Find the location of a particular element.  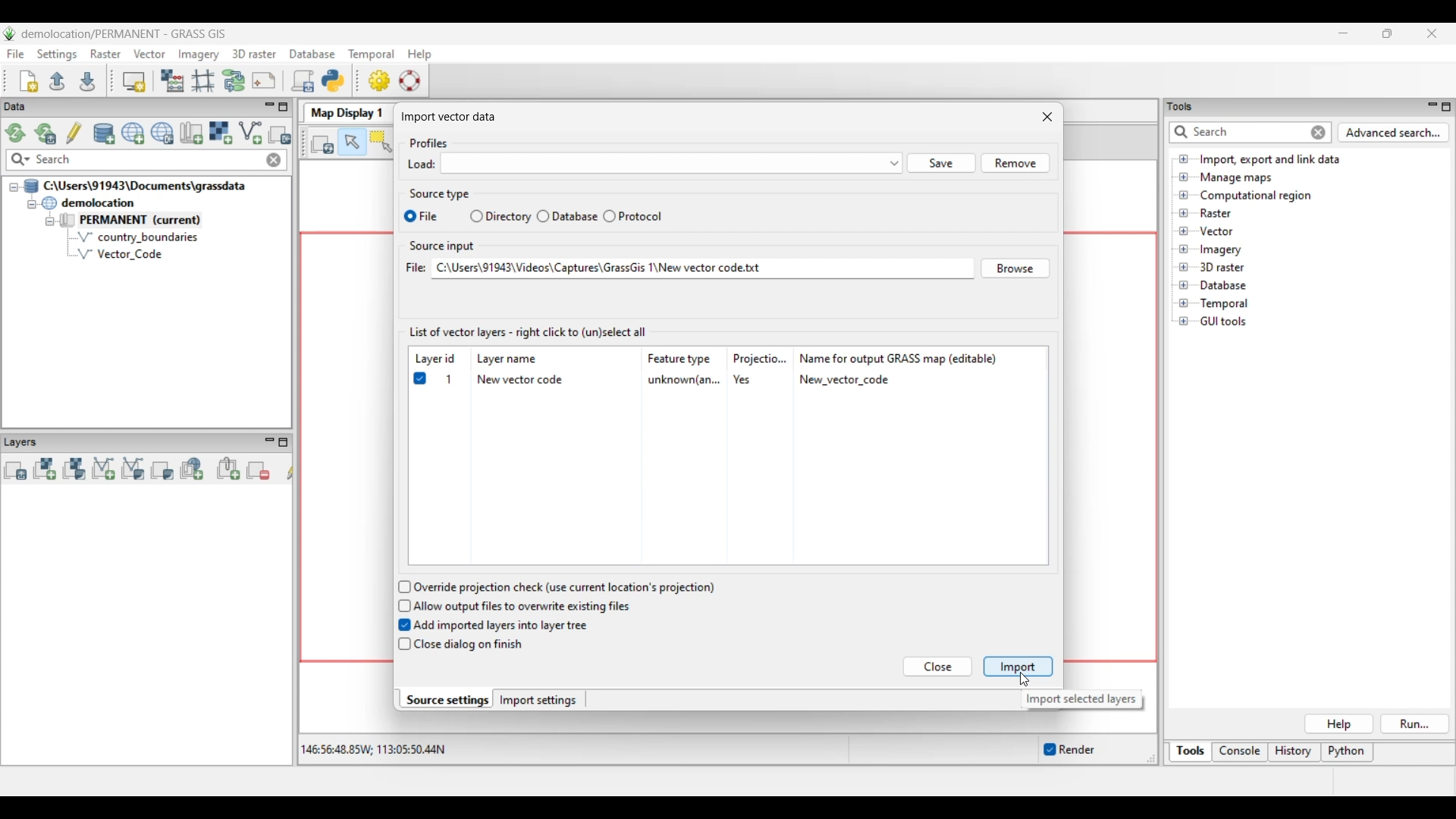

Database menu is located at coordinates (312, 55).